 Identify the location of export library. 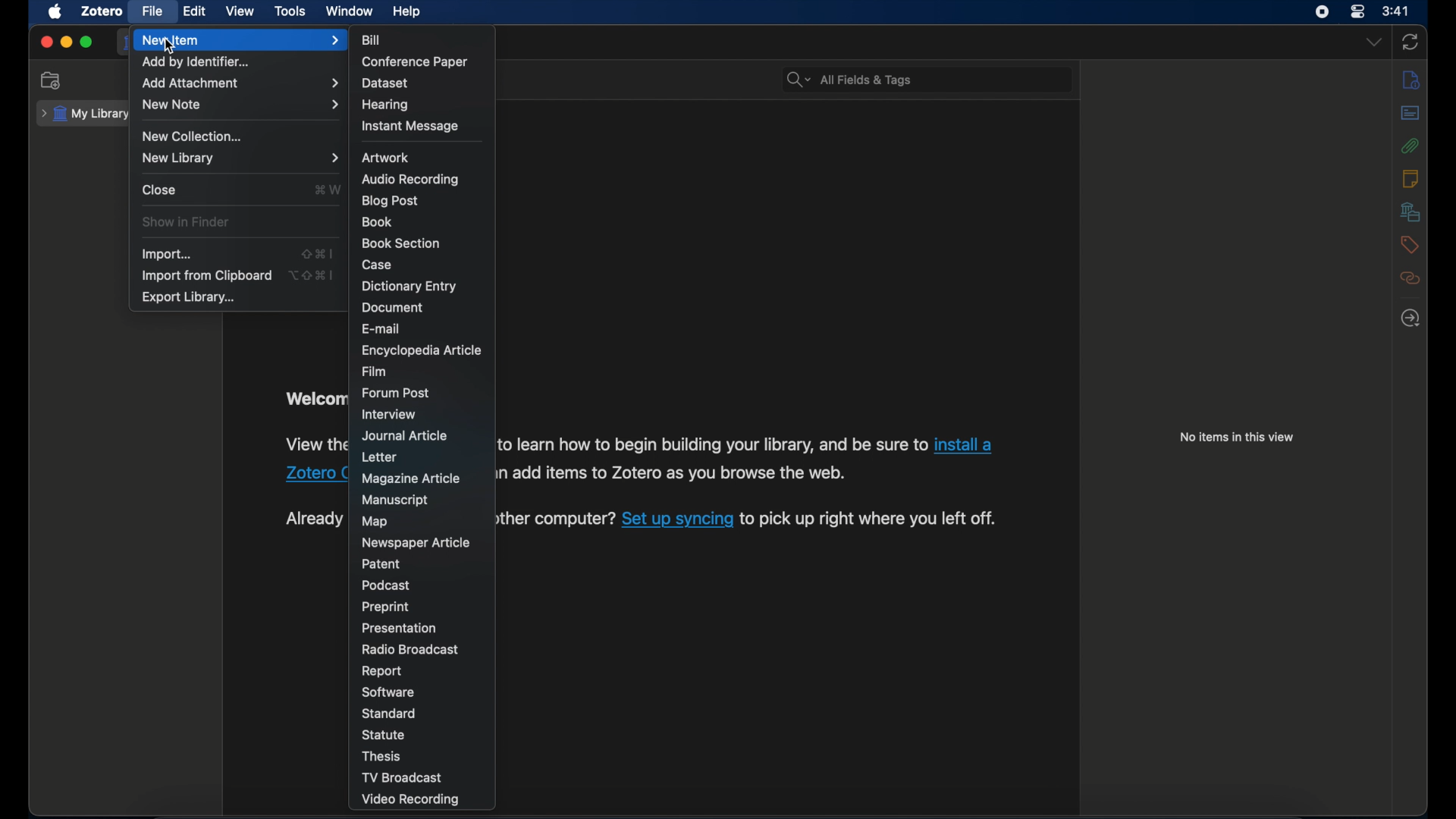
(190, 298).